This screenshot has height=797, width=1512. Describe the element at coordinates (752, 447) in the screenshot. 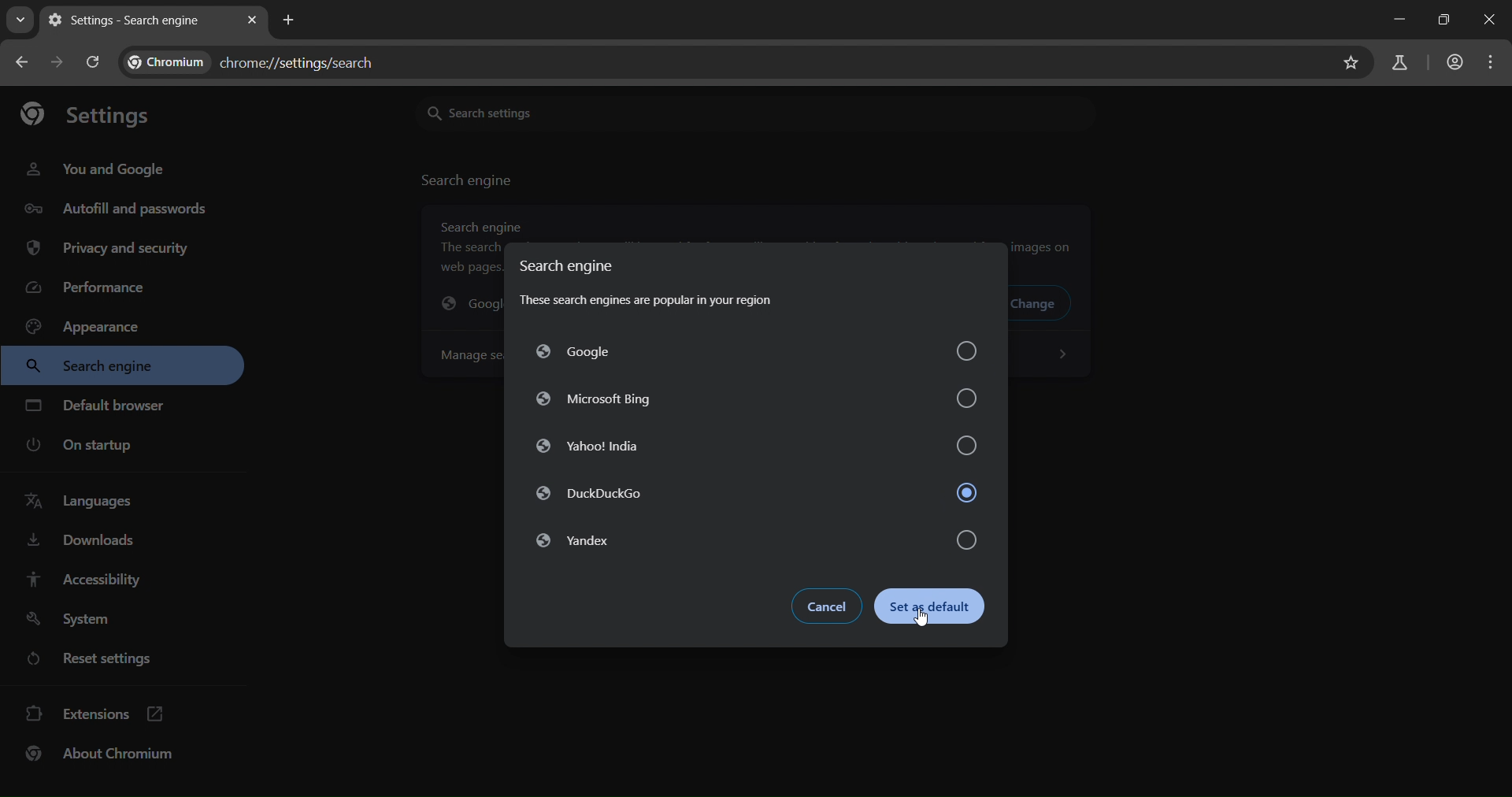

I see `Yahoo!India` at that location.